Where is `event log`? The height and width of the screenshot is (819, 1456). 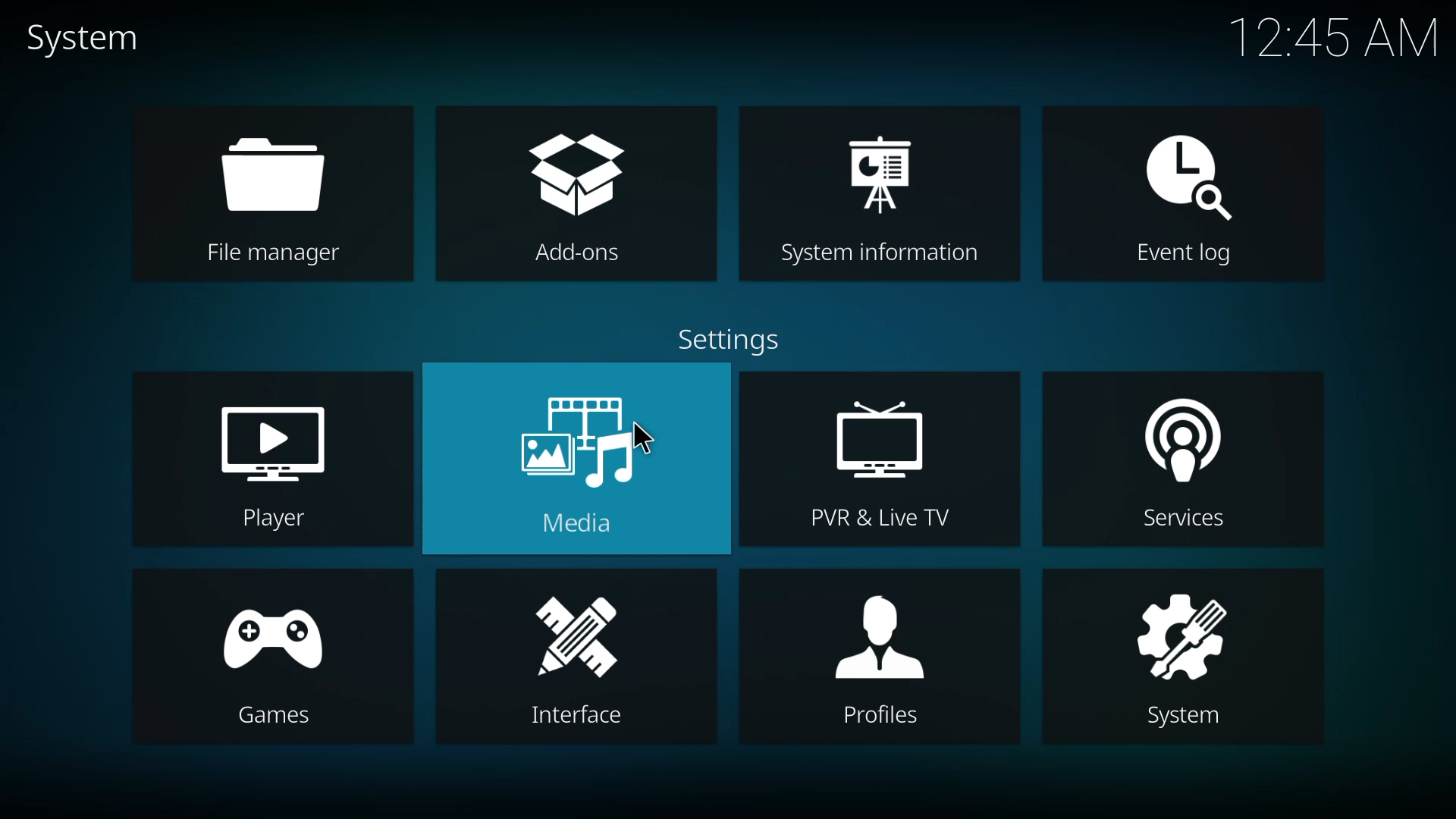 event log is located at coordinates (1183, 193).